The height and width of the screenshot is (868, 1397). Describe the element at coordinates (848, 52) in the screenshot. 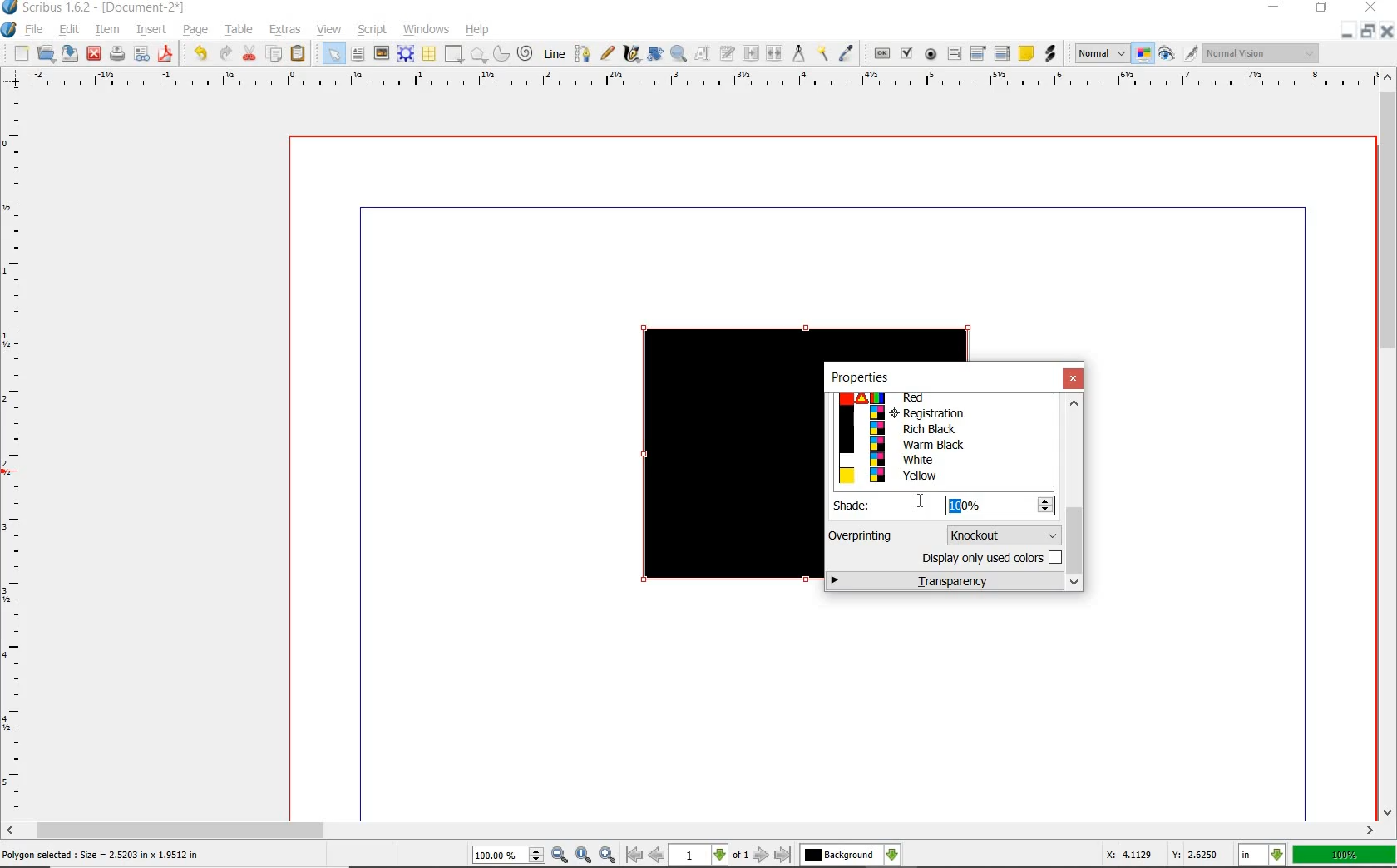

I see `eye dropper` at that location.